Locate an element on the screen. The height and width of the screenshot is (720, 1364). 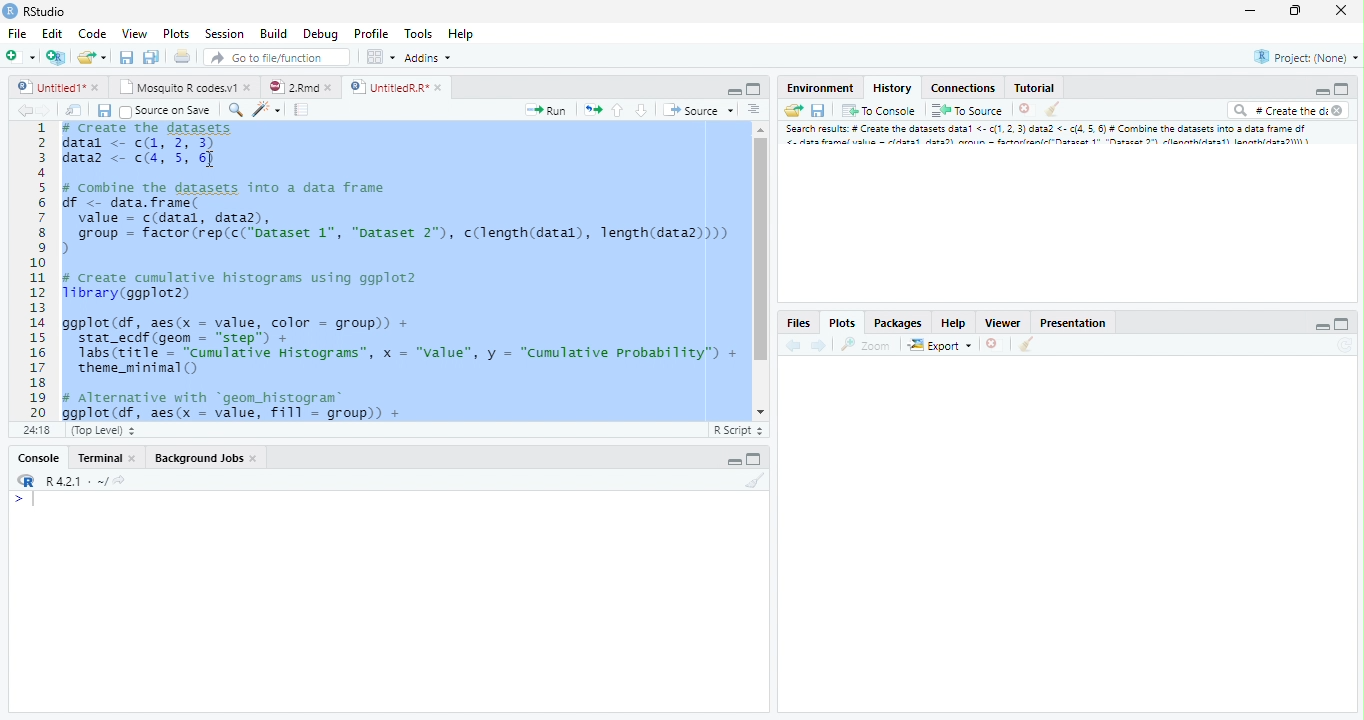
New file is located at coordinates (20, 55).